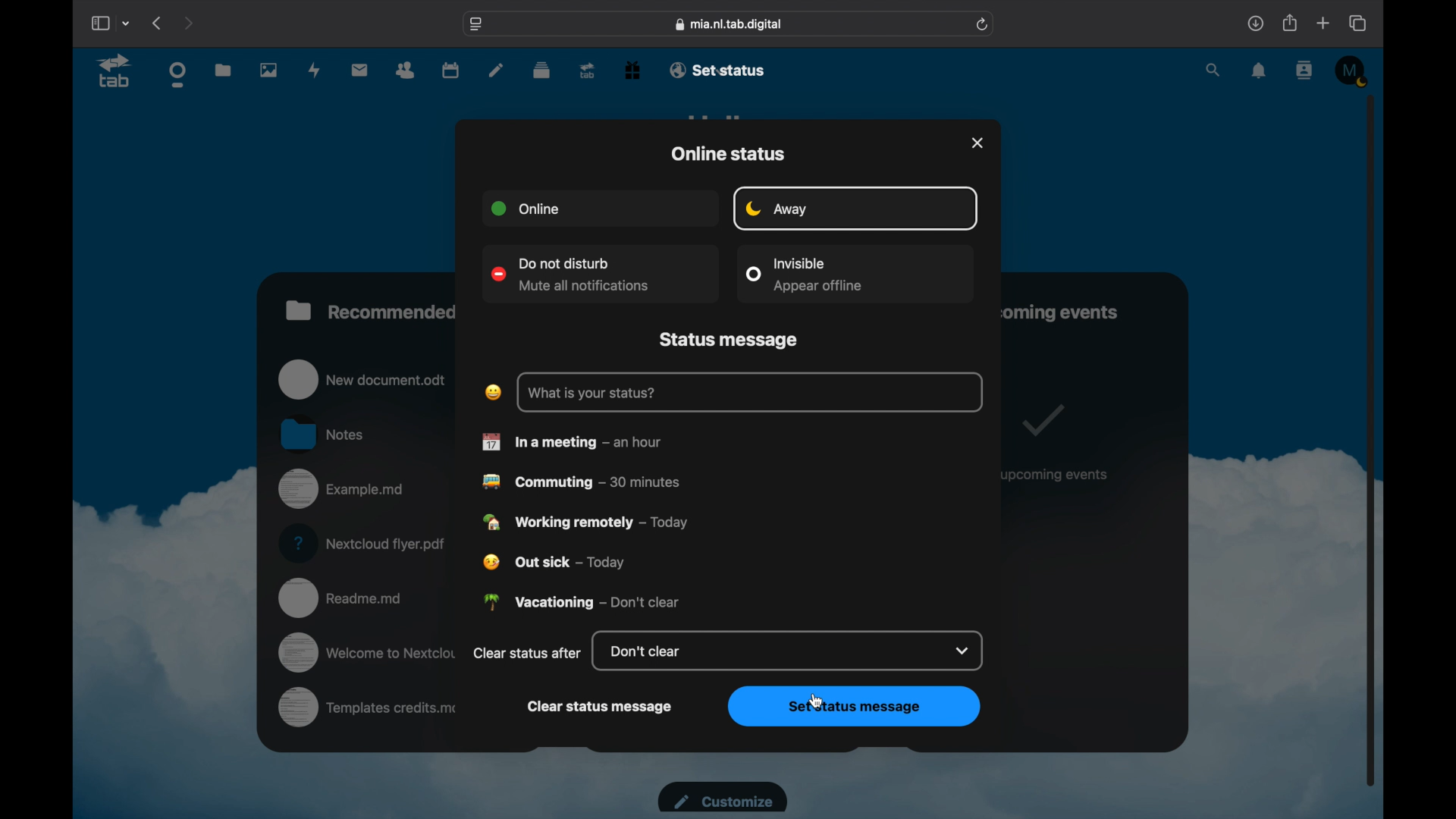 The image size is (1456, 819). Describe the element at coordinates (1040, 419) in the screenshot. I see `tick mark` at that location.